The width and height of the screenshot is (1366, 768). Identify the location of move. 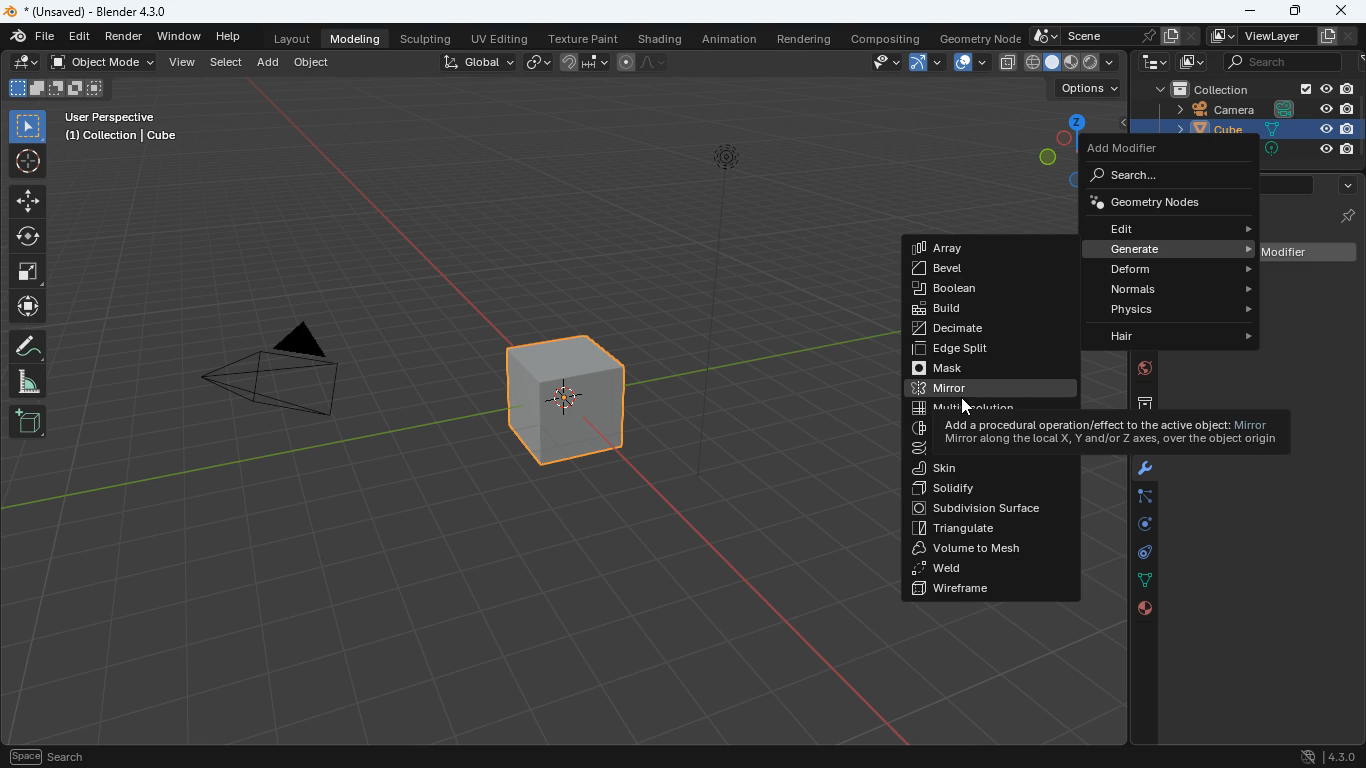
(23, 202).